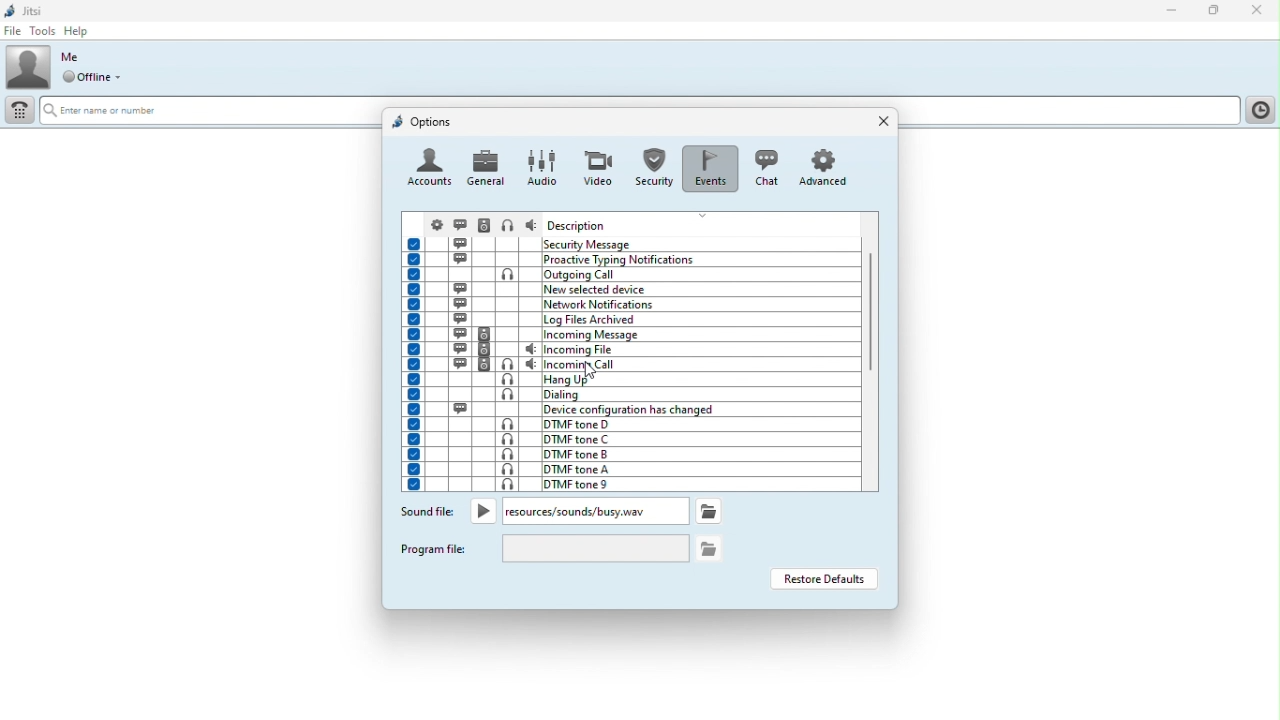 This screenshot has width=1280, height=720. Describe the element at coordinates (627, 422) in the screenshot. I see `DTMF tone D` at that location.